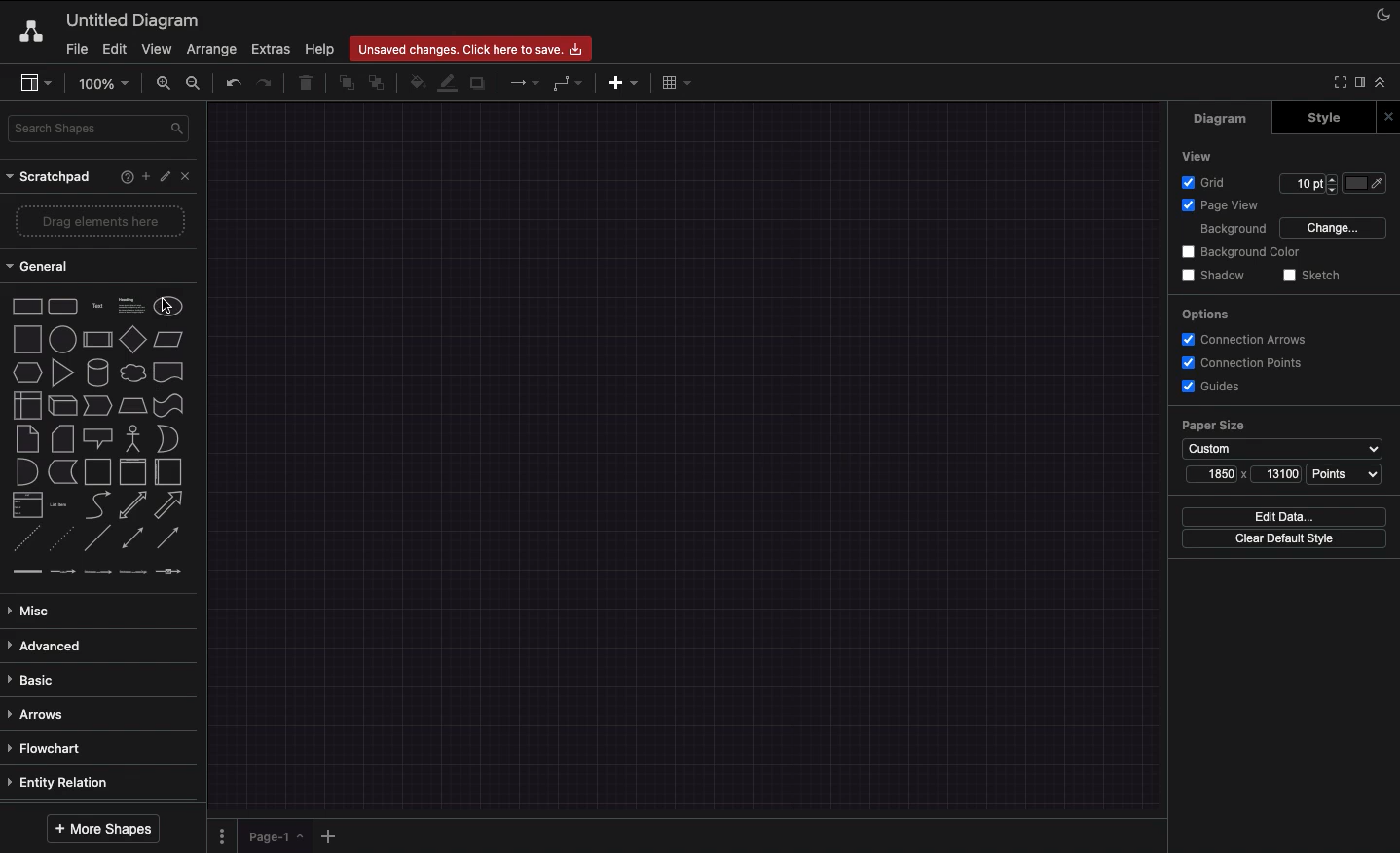 This screenshot has height=853, width=1400. What do you see at coordinates (133, 470) in the screenshot?
I see `Vertical container` at bounding box center [133, 470].